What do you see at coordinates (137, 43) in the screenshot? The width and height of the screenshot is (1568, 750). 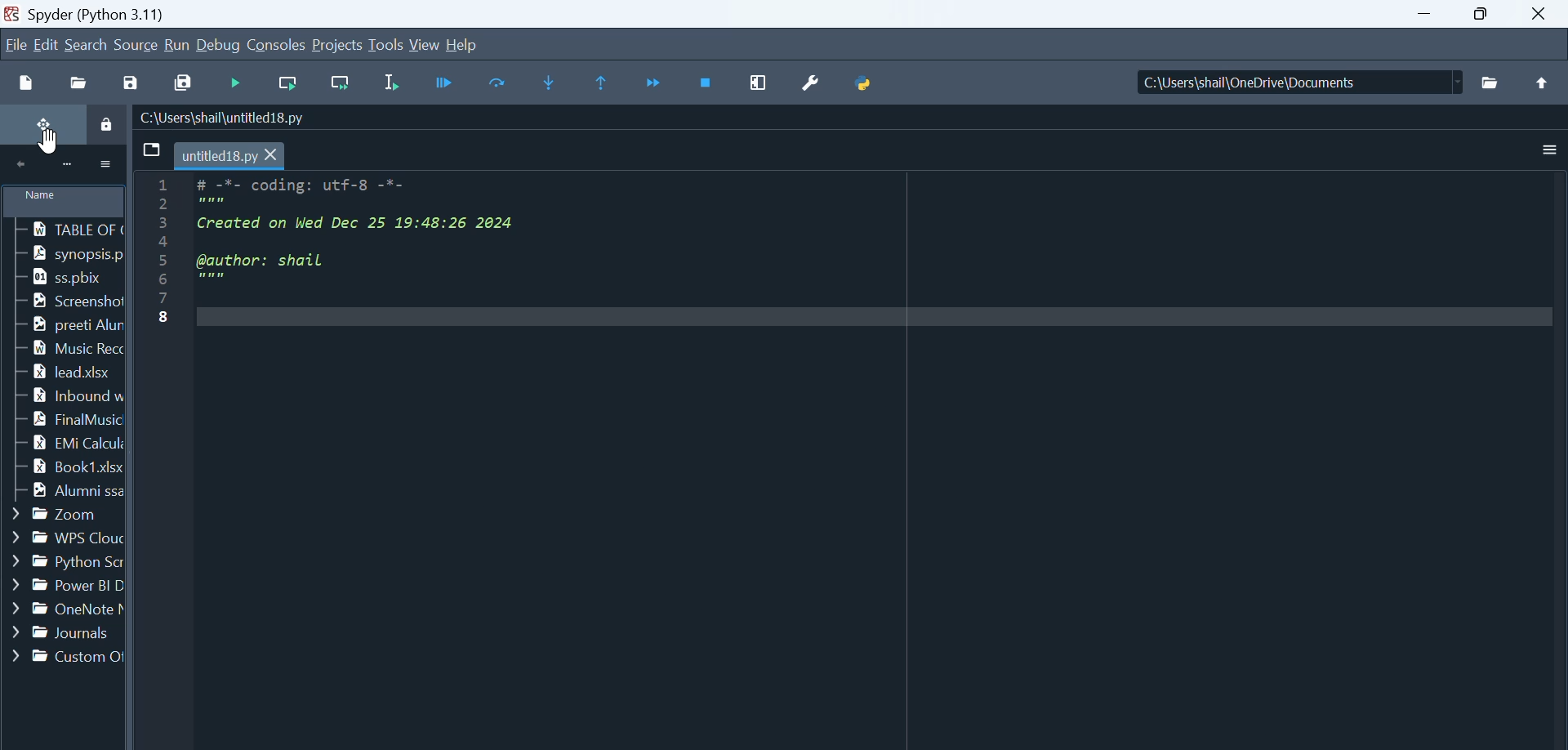 I see `` at bounding box center [137, 43].